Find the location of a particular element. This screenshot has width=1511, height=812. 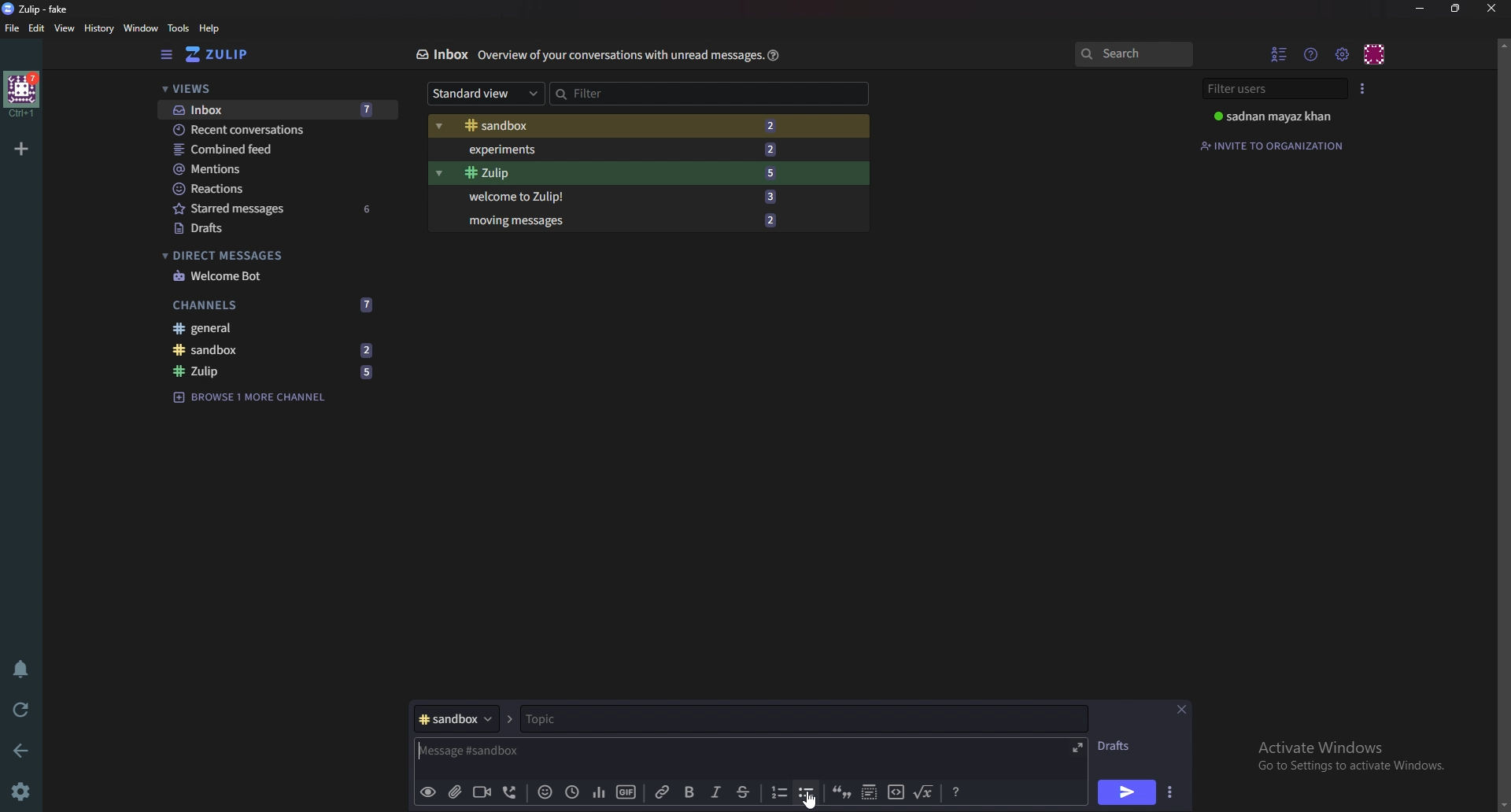

welcome bot is located at coordinates (273, 276).